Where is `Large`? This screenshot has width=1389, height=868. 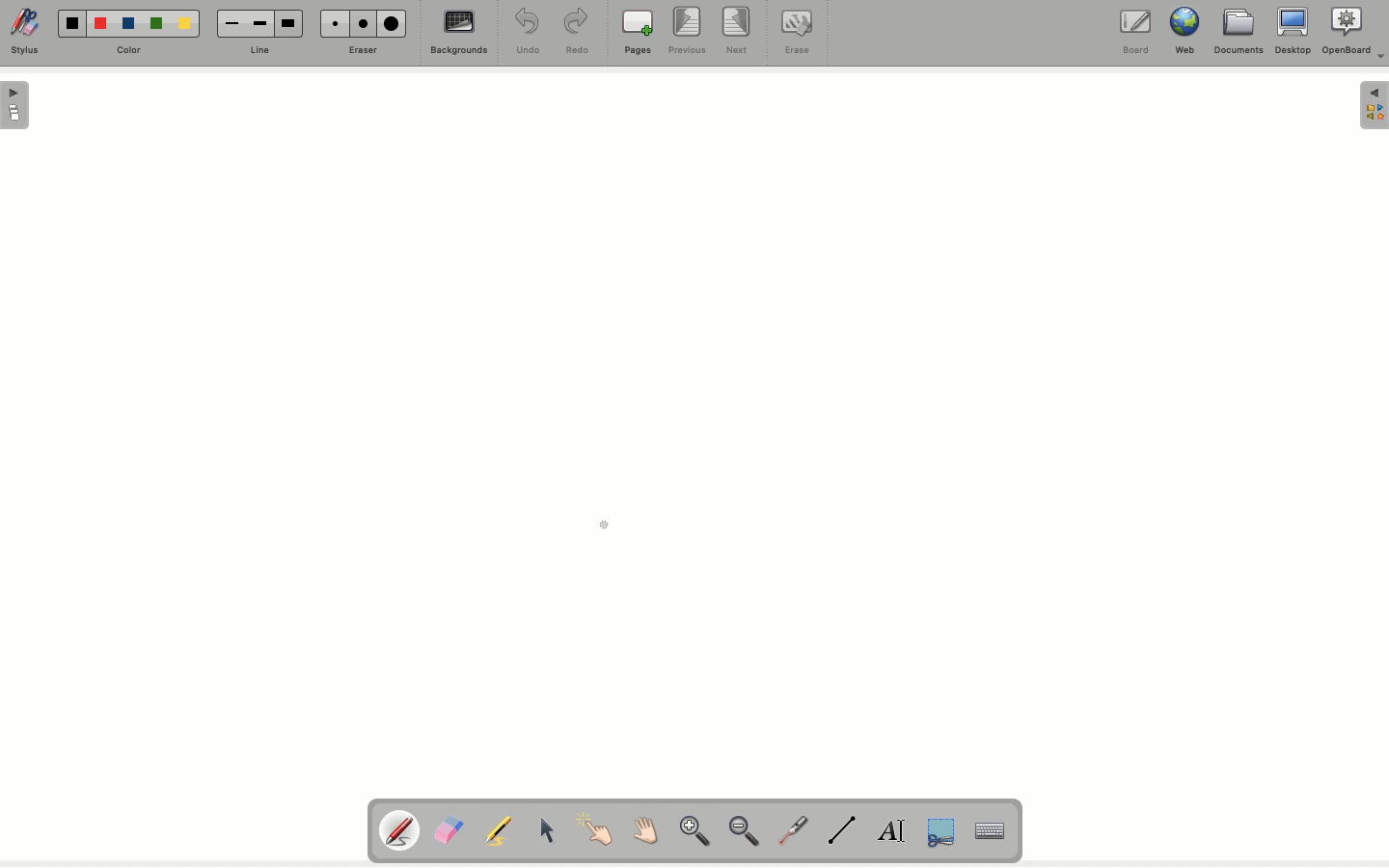 Large is located at coordinates (290, 21).